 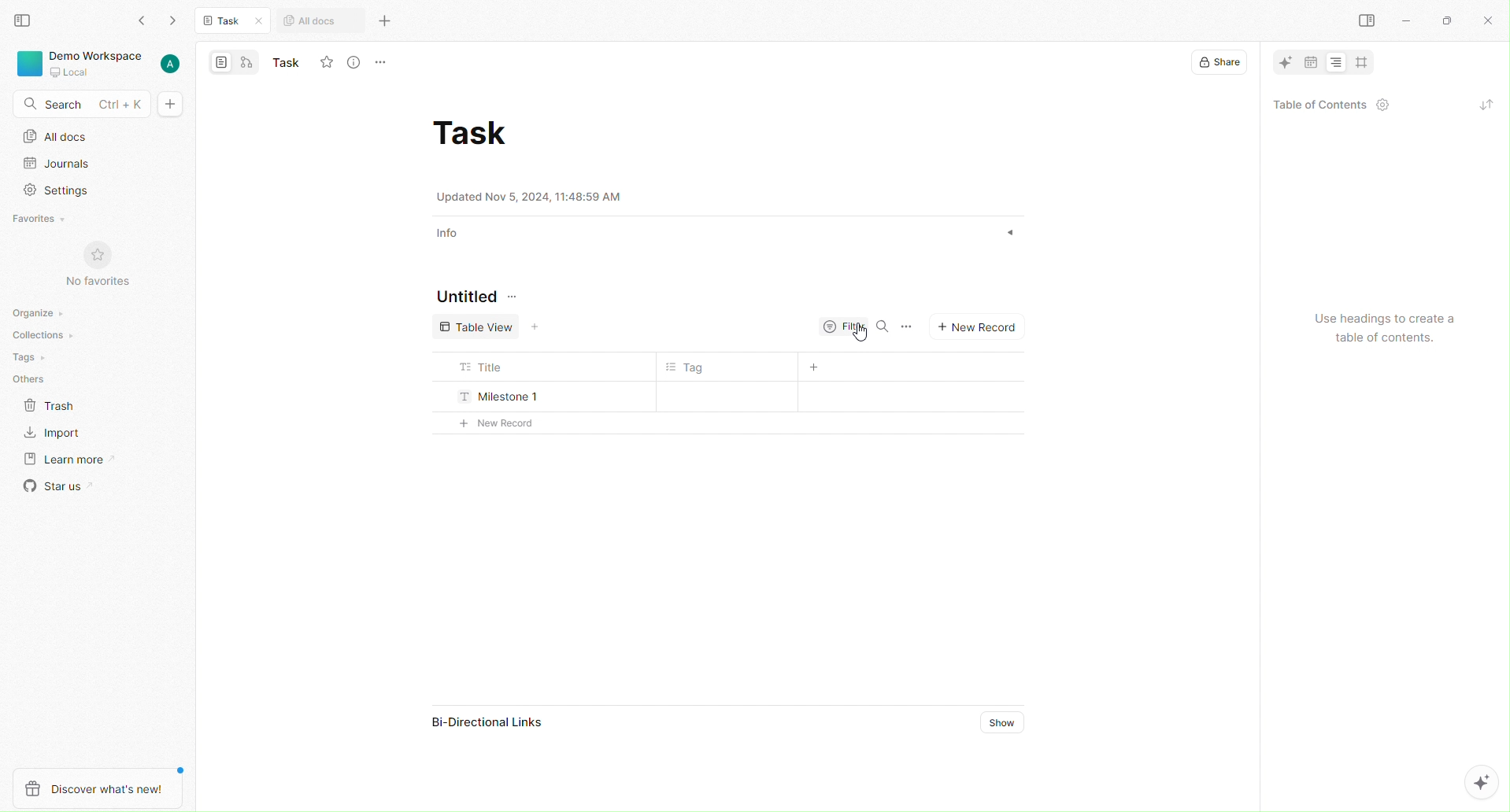 I want to click on forward, so click(x=171, y=23).